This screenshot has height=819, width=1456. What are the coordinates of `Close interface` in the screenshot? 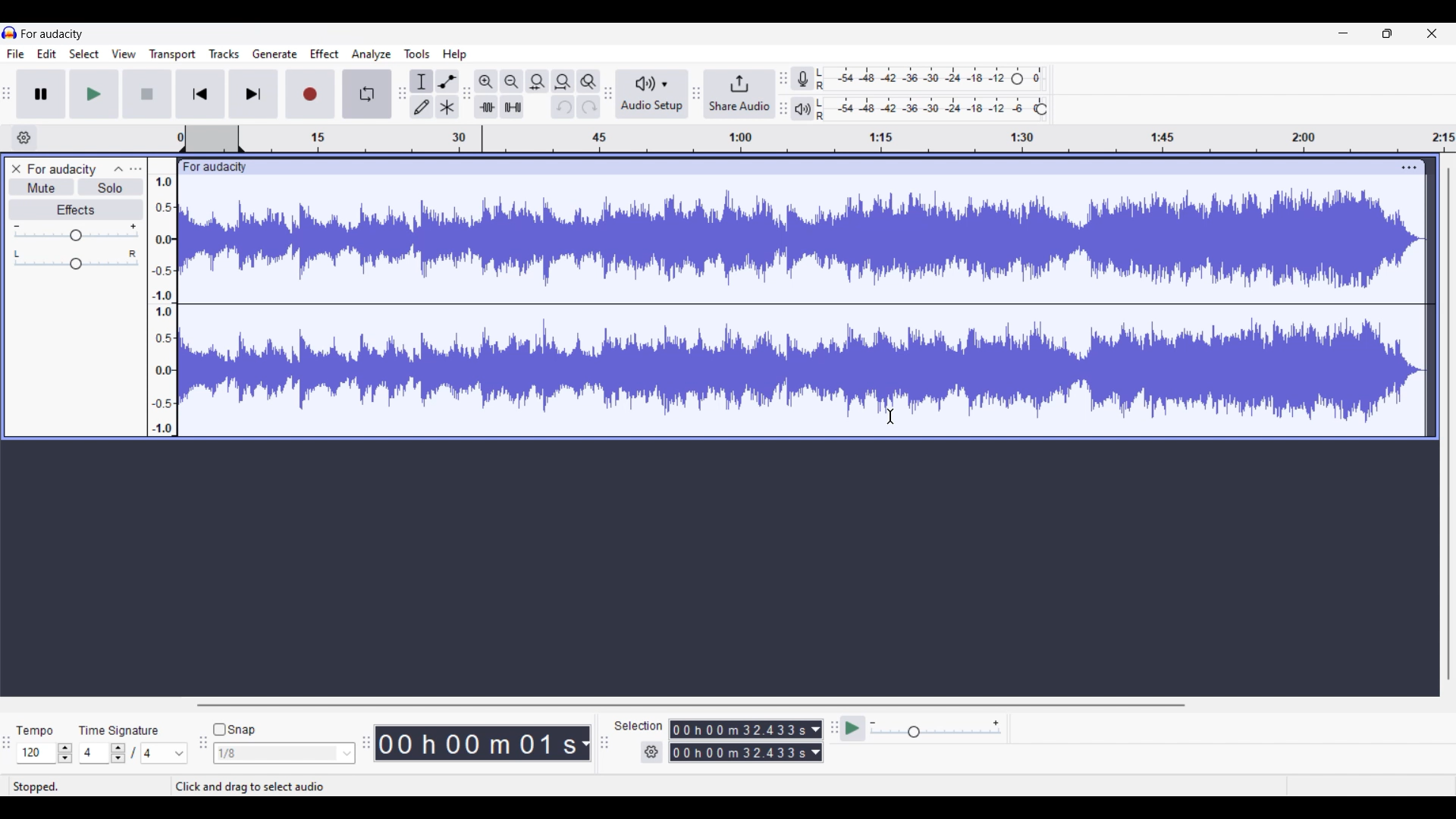 It's located at (1432, 33).